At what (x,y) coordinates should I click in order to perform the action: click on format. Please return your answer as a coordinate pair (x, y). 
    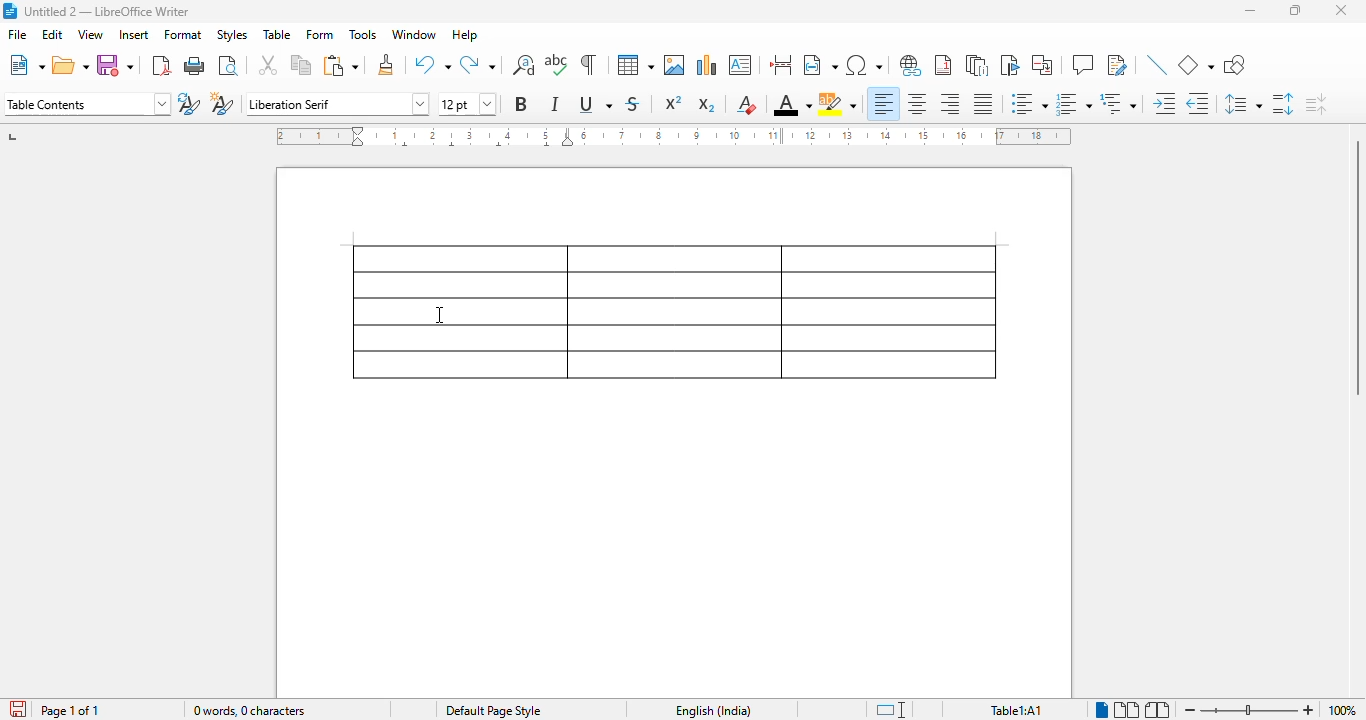
    Looking at the image, I should click on (184, 34).